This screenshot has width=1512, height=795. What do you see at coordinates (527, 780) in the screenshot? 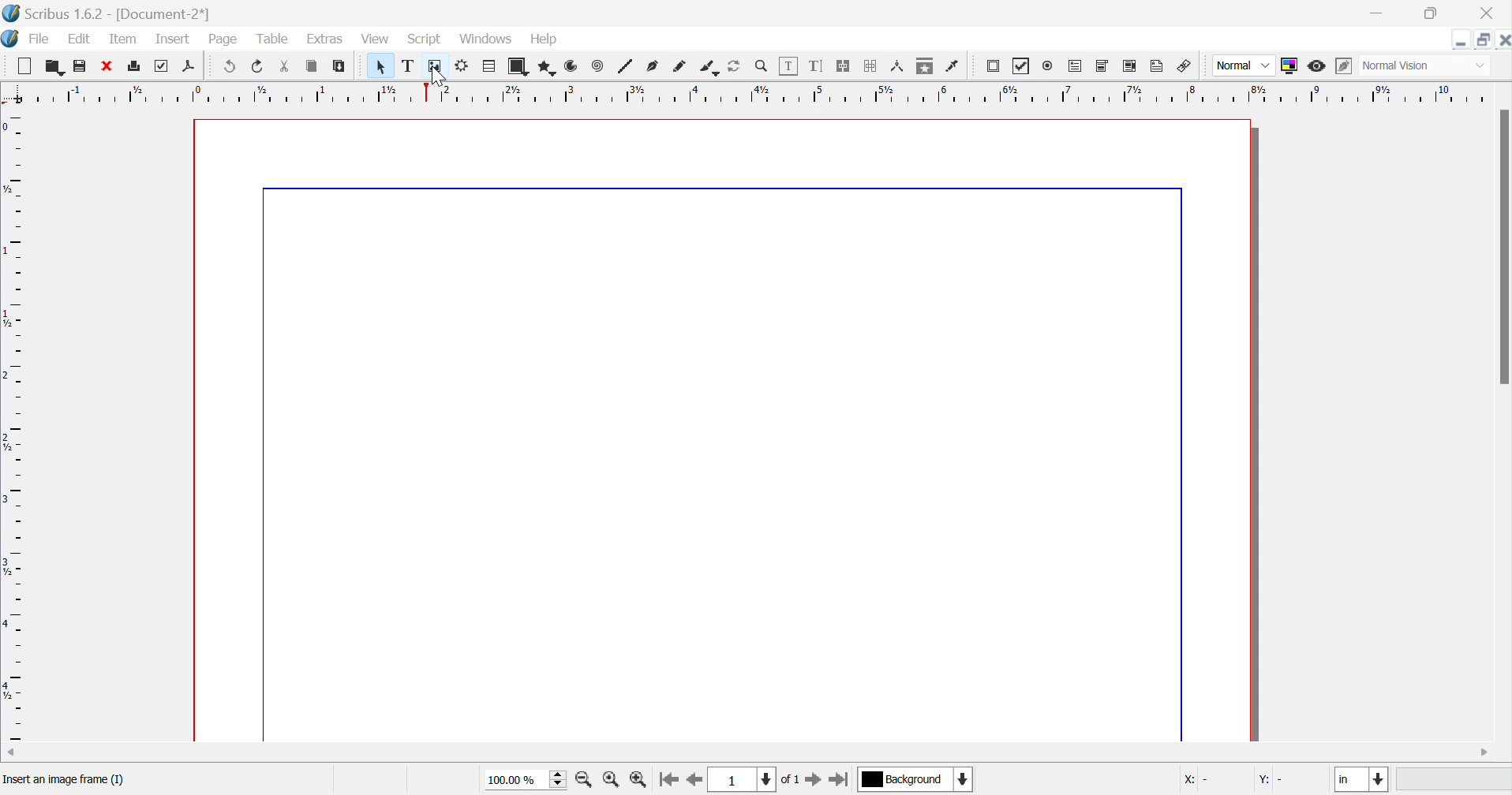
I see `100.00%` at bounding box center [527, 780].